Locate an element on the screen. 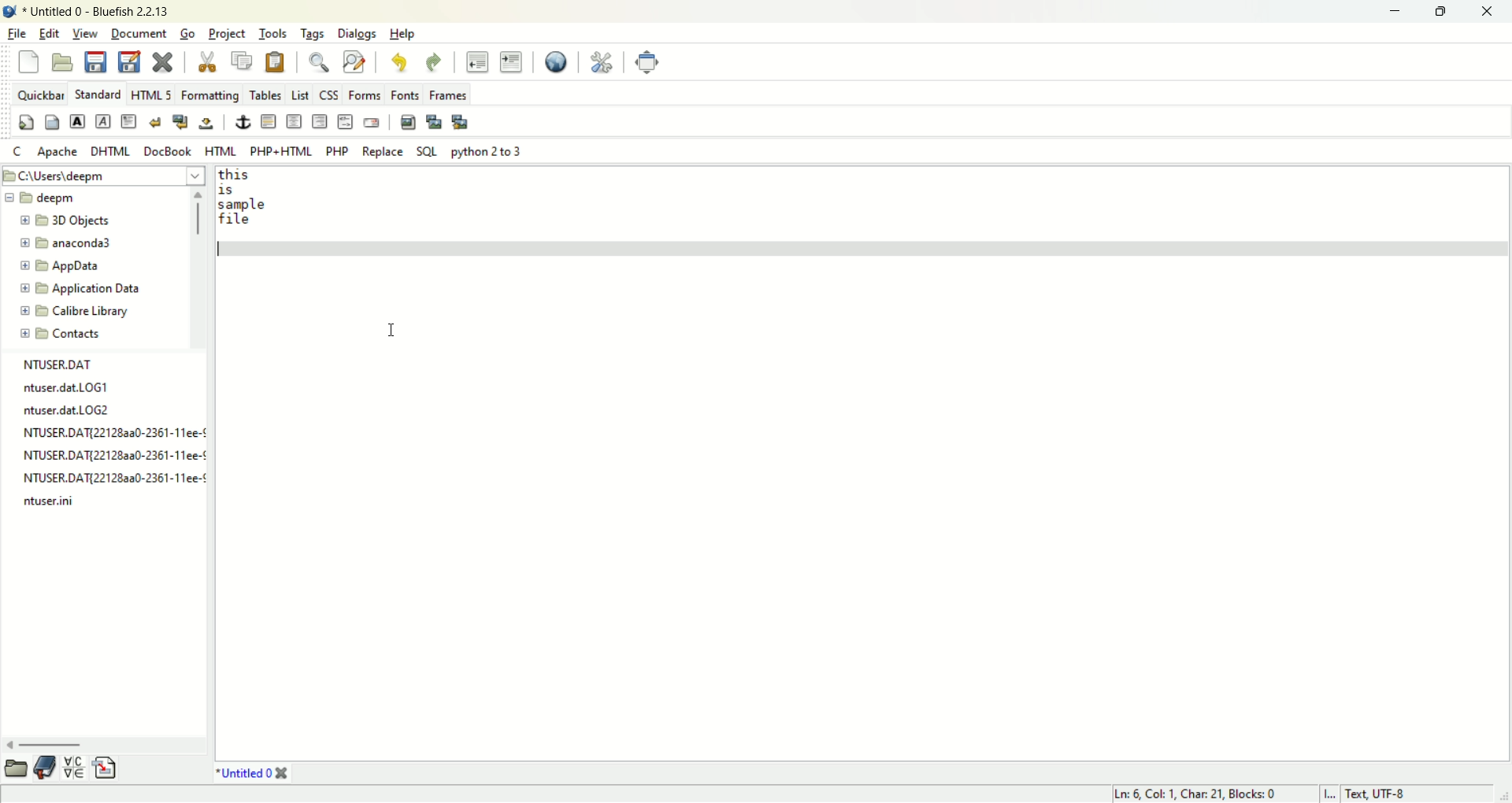  open is located at coordinates (65, 64).